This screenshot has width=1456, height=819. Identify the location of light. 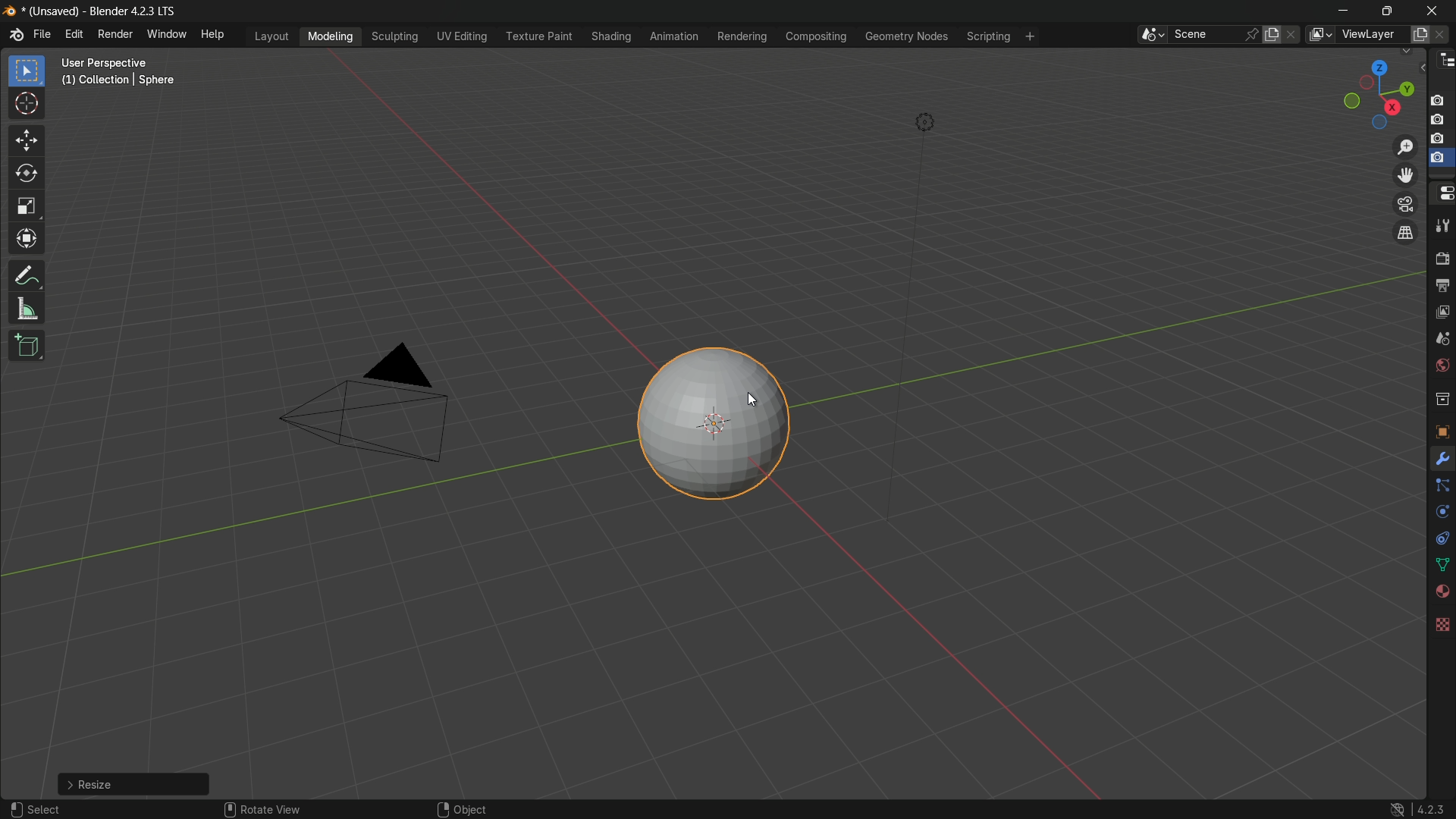
(935, 121).